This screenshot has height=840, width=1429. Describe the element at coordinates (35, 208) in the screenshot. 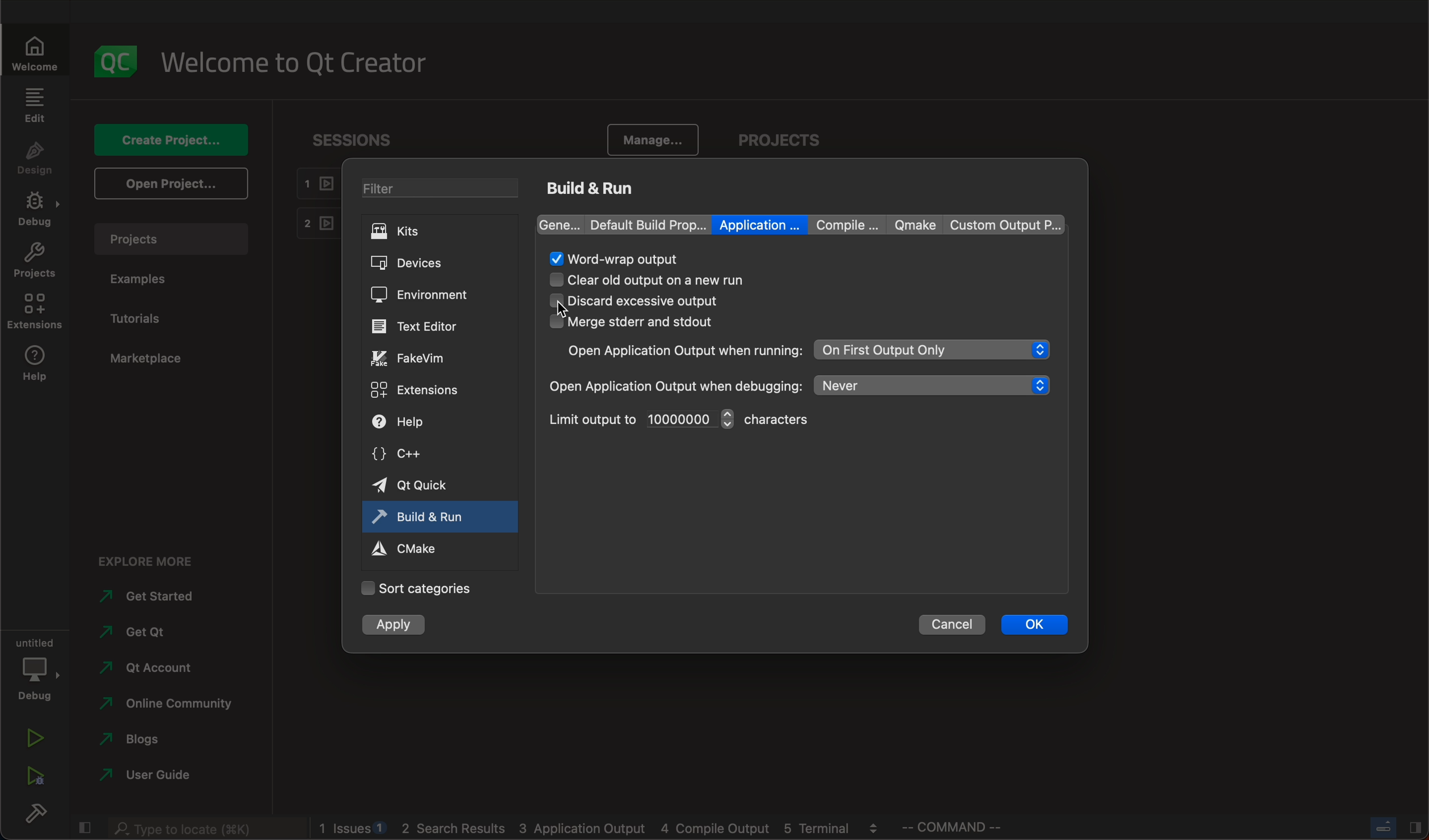

I see `debug` at that location.